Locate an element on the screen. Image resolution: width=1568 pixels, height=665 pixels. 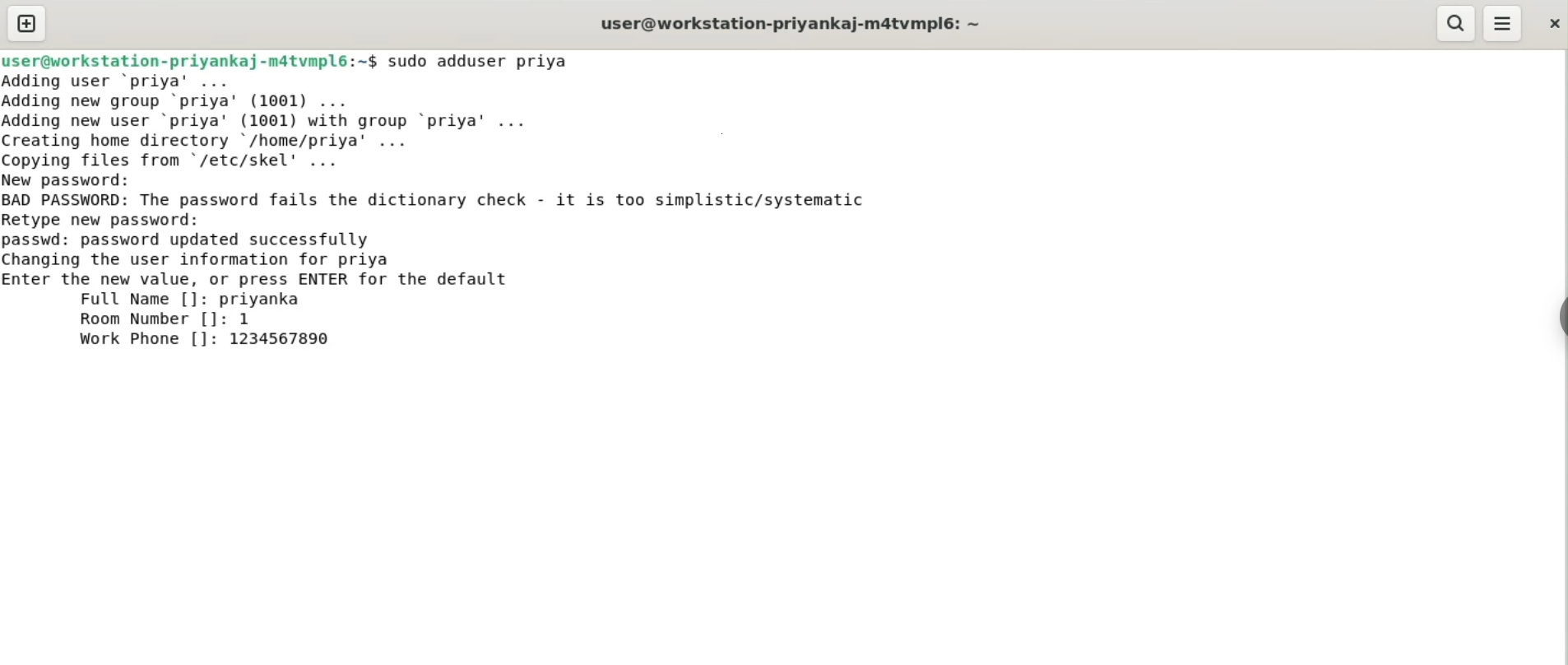
user@workstation-priyankaj-m4tvmpl6: ~ is located at coordinates (791, 26).